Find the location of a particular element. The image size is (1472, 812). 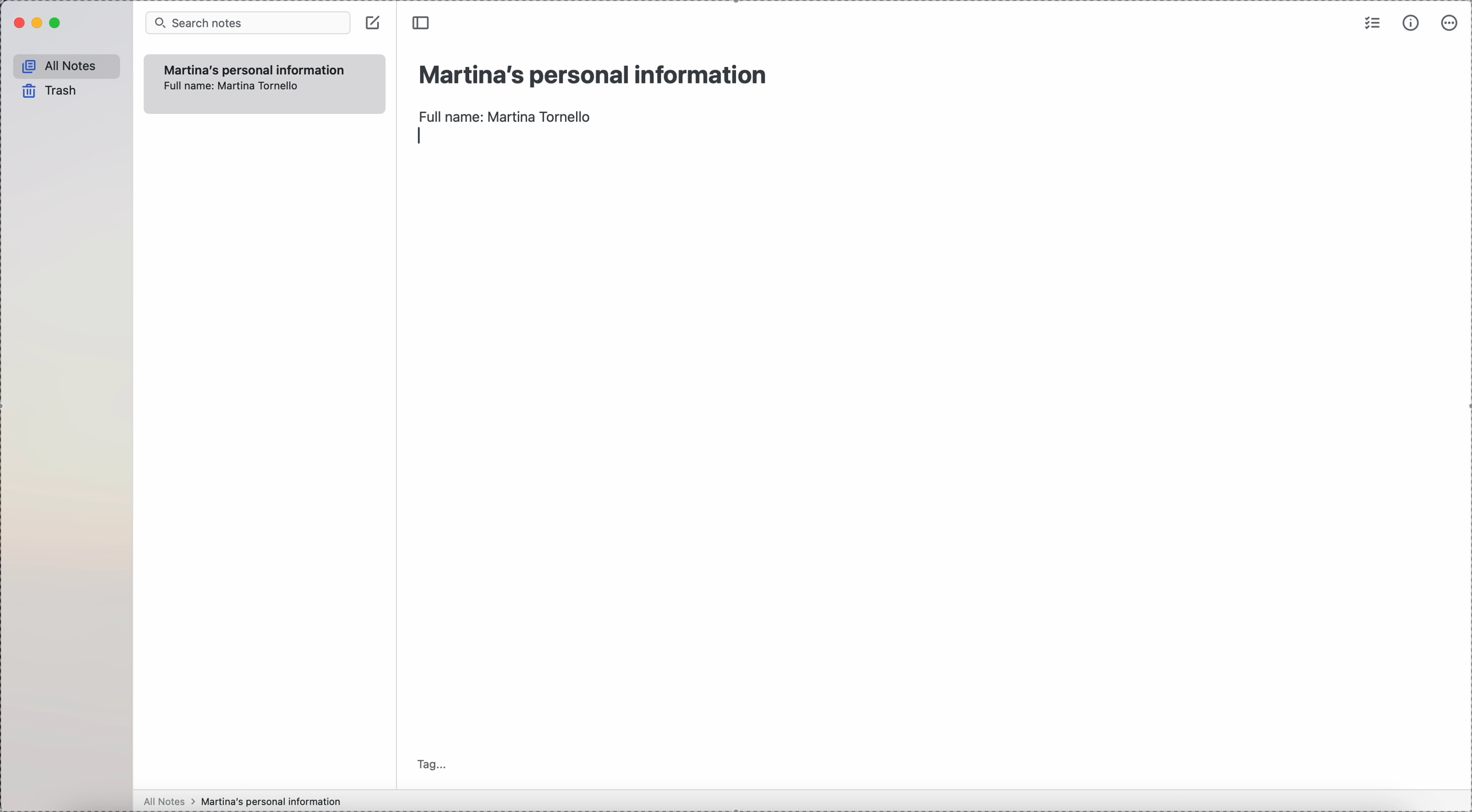

tag is located at coordinates (434, 763).